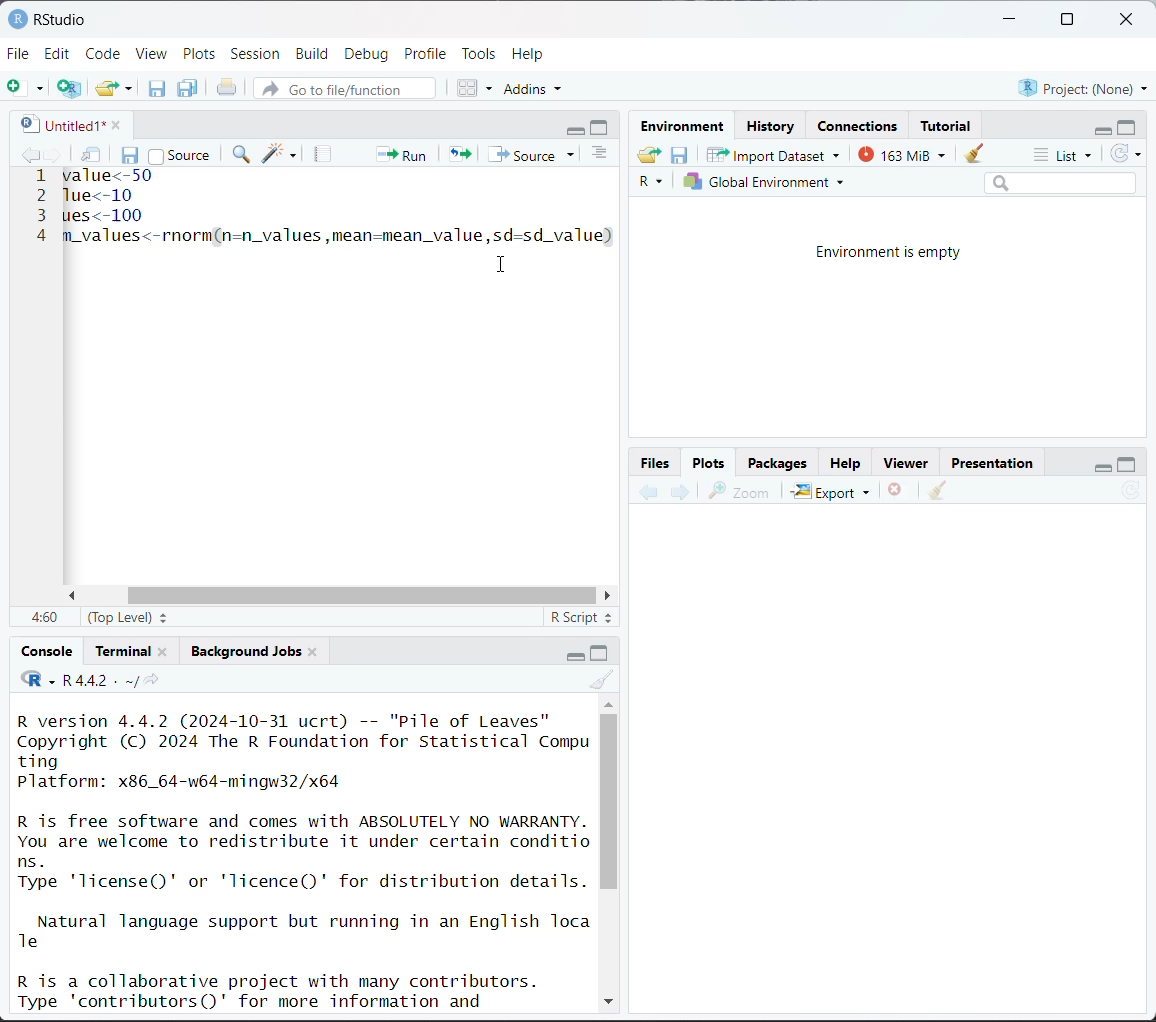  Describe the element at coordinates (151, 680) in the screenshot. I see `view the current working directory` at that location.